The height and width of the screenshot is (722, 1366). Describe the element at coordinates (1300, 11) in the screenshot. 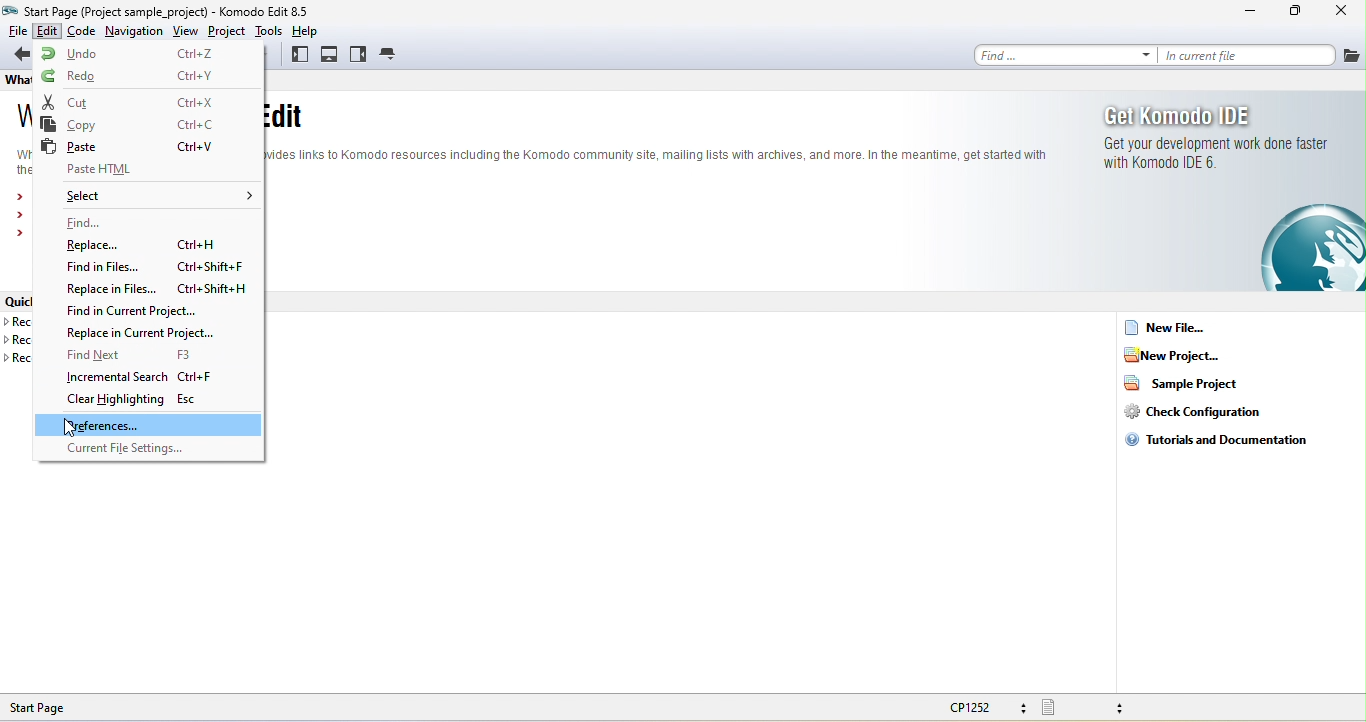

I see `maximize` at that location.